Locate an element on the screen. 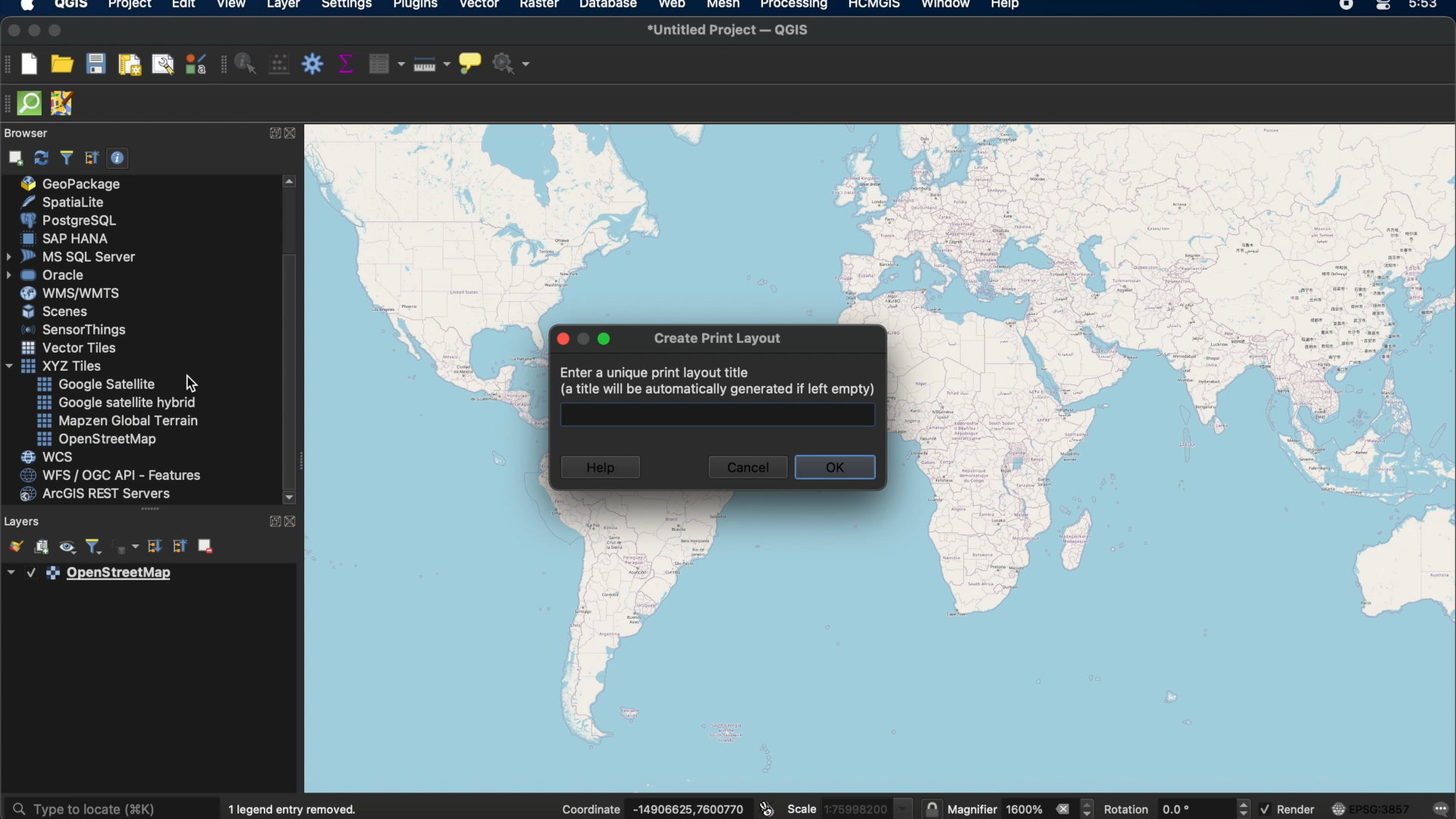 The image size is (1456, 819). poster sql is located at coordinates (69, 220).